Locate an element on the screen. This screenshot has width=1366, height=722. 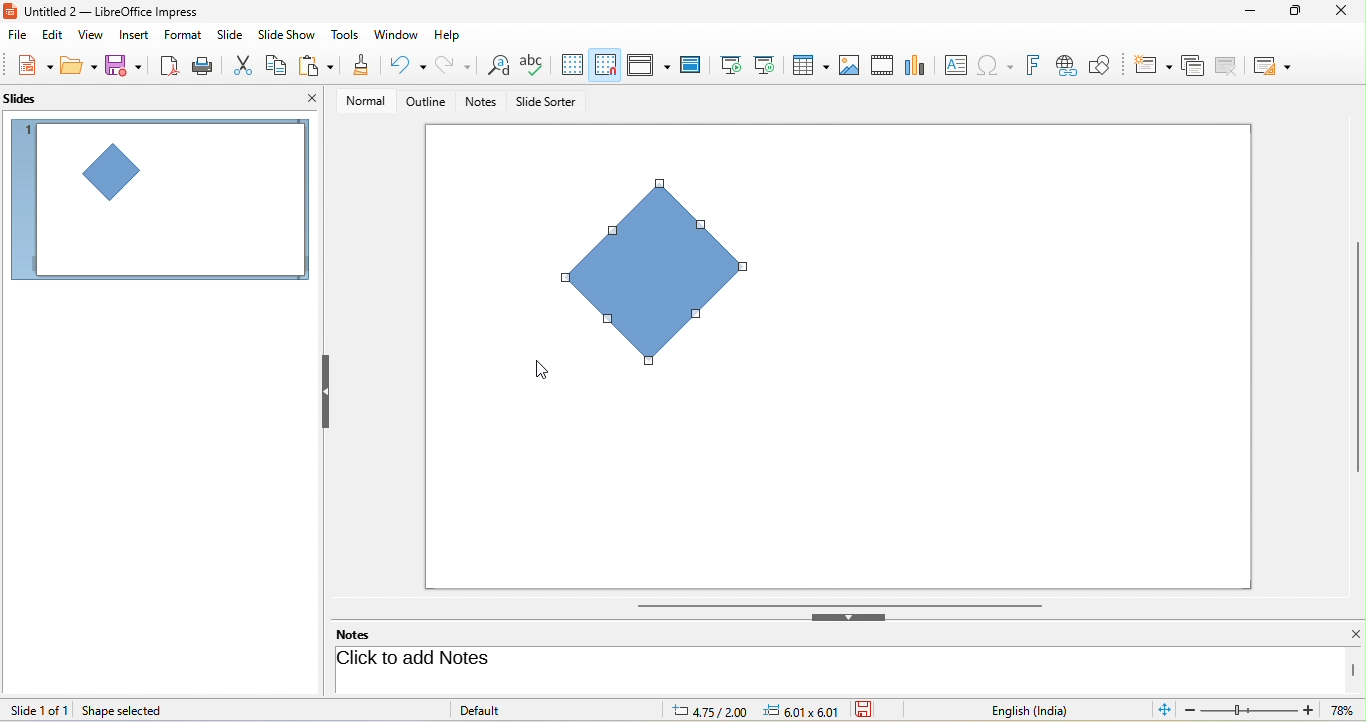
default is located at coordinates (502, 709).